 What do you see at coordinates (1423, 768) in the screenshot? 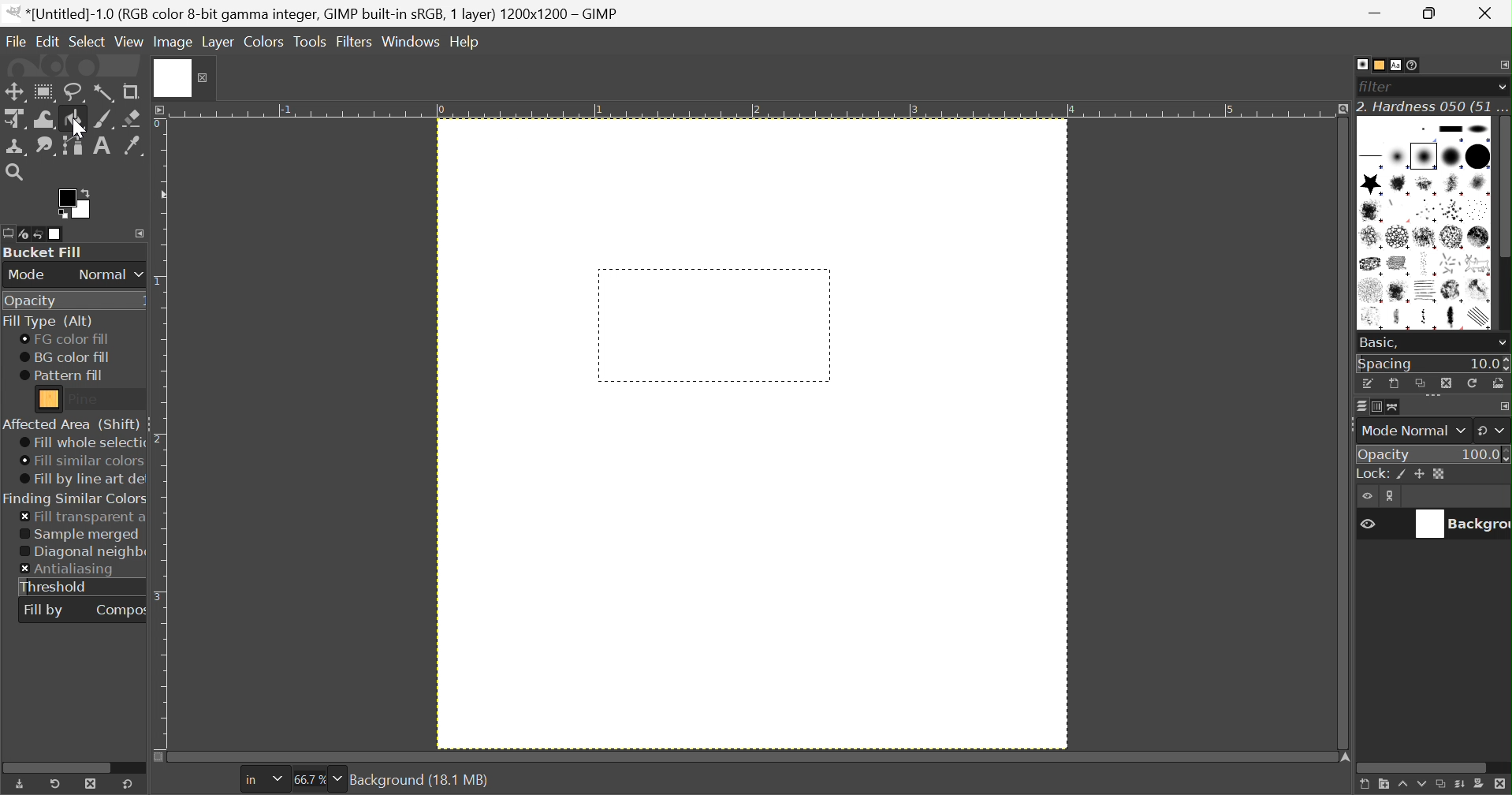
I see `Scroll bar` at bounding box center [1423, 768].